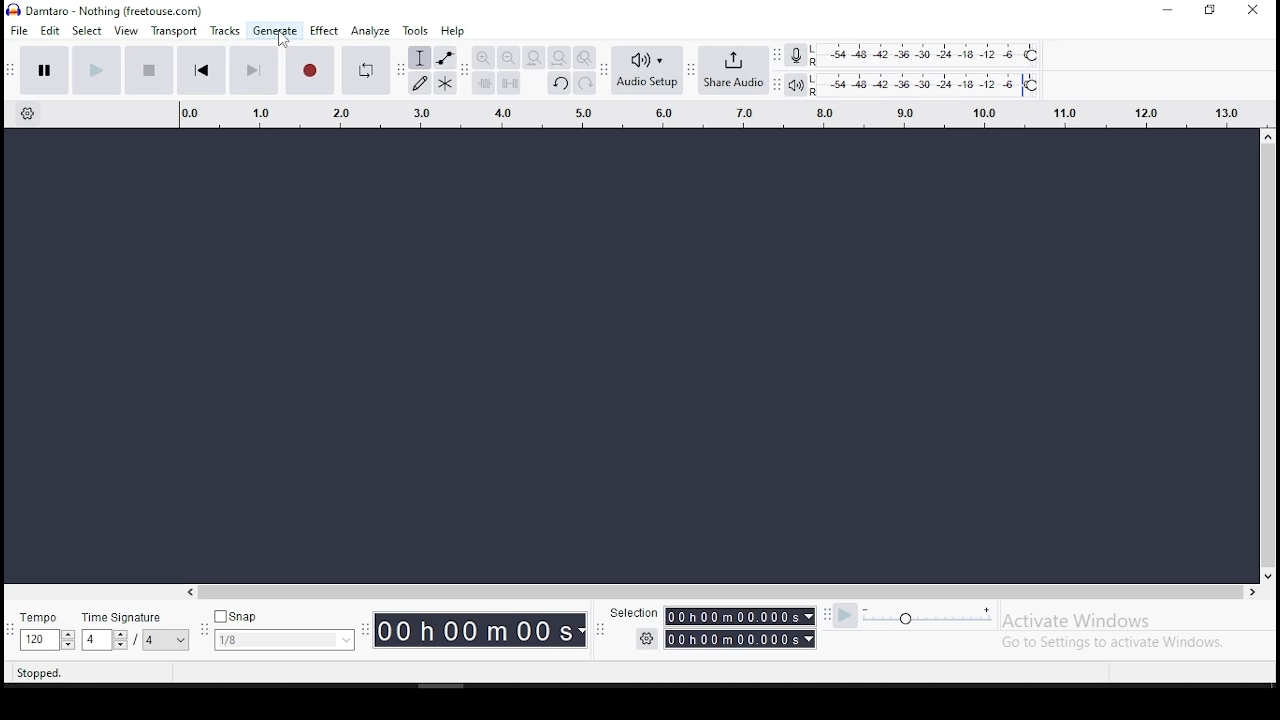 Image resolution: width=1280 pixels, height=720 pixels. I want to click on activate windows, so click(1128, 630).